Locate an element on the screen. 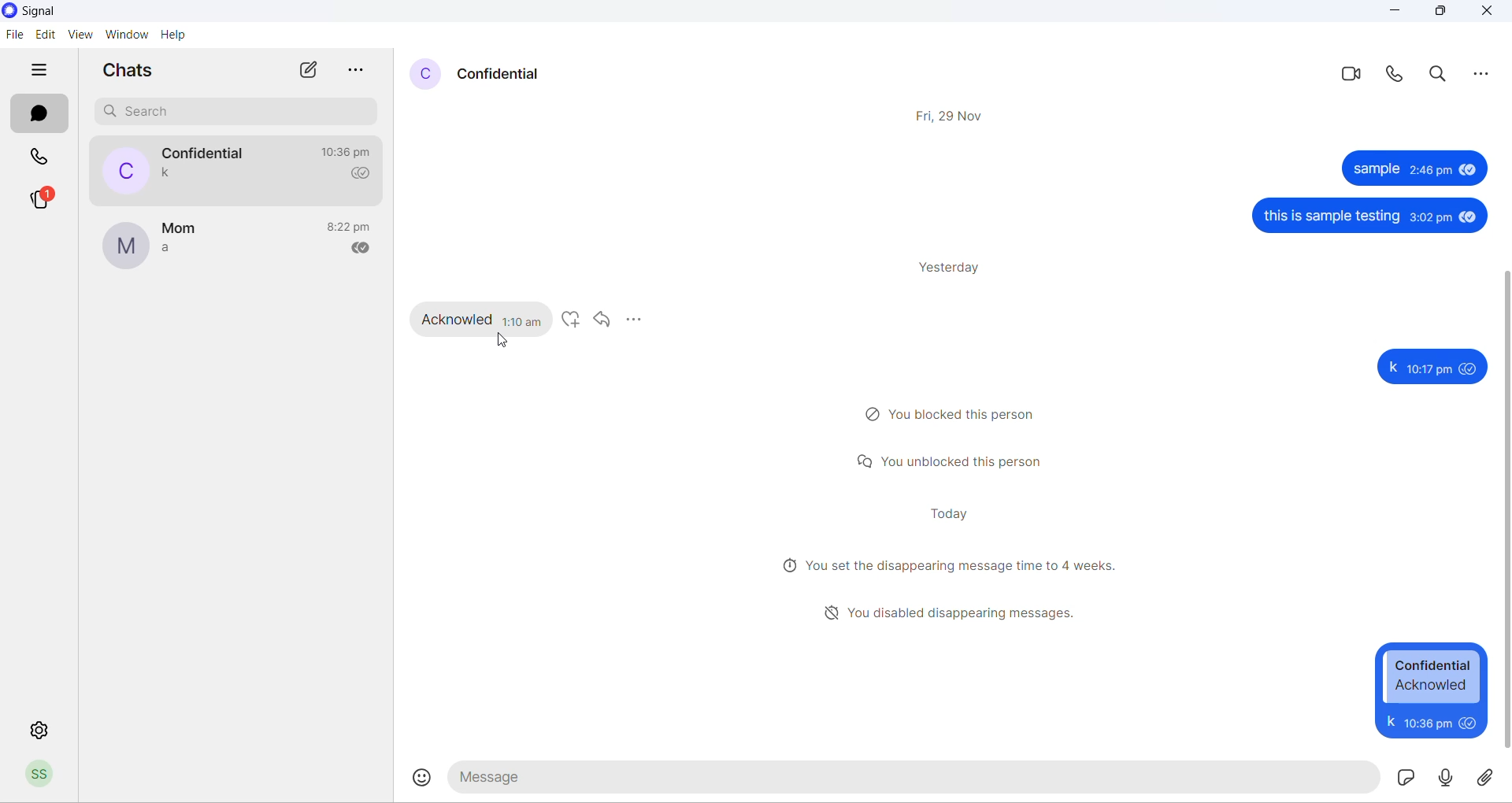  10:17 pm is located at coordinates (1429, 370).